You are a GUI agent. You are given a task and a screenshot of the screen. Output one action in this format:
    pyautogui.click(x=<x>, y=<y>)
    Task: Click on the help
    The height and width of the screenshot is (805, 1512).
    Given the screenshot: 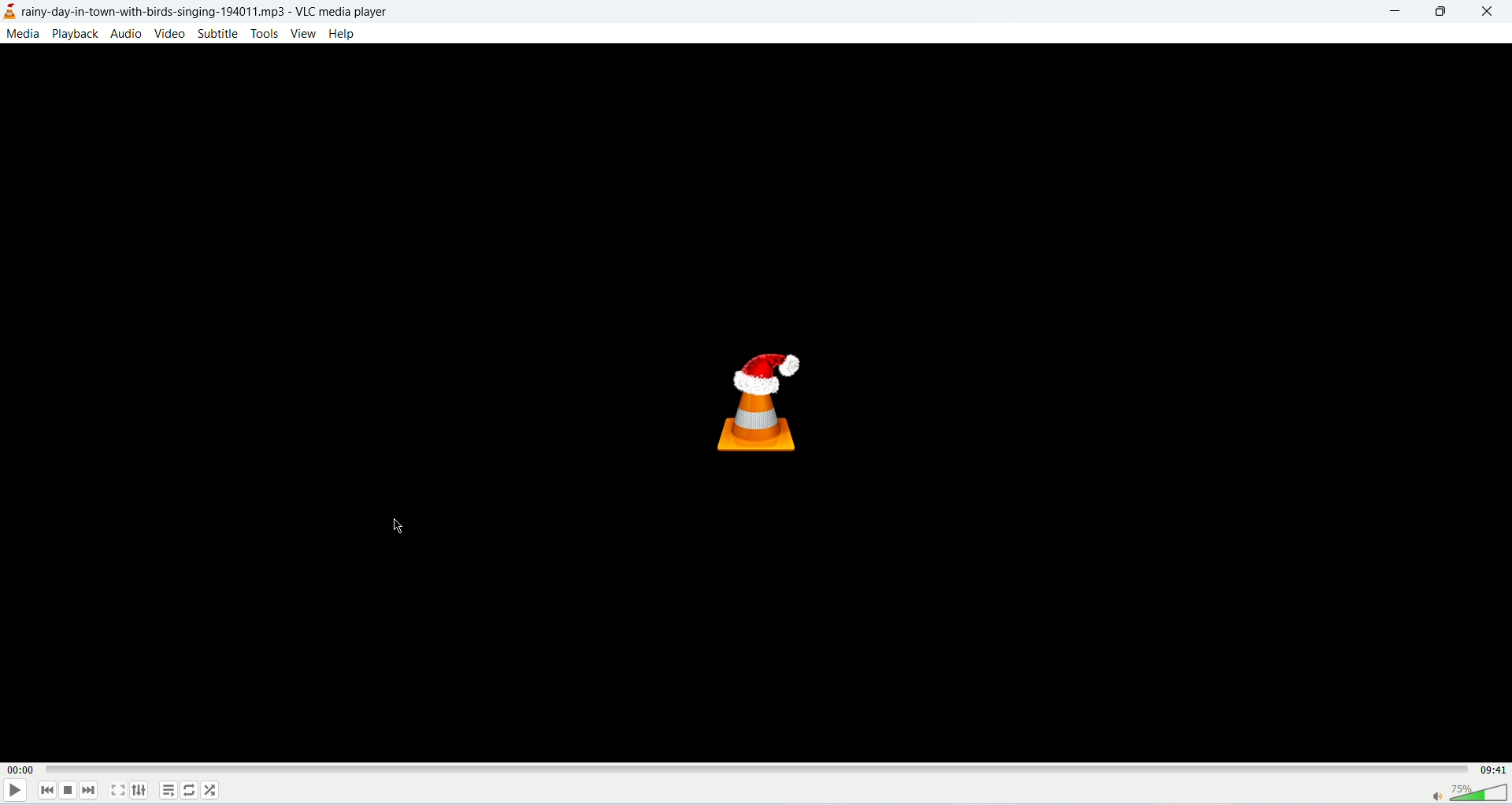 What is the action you would take?
    pyautogui.click(x=345, y=35)
    